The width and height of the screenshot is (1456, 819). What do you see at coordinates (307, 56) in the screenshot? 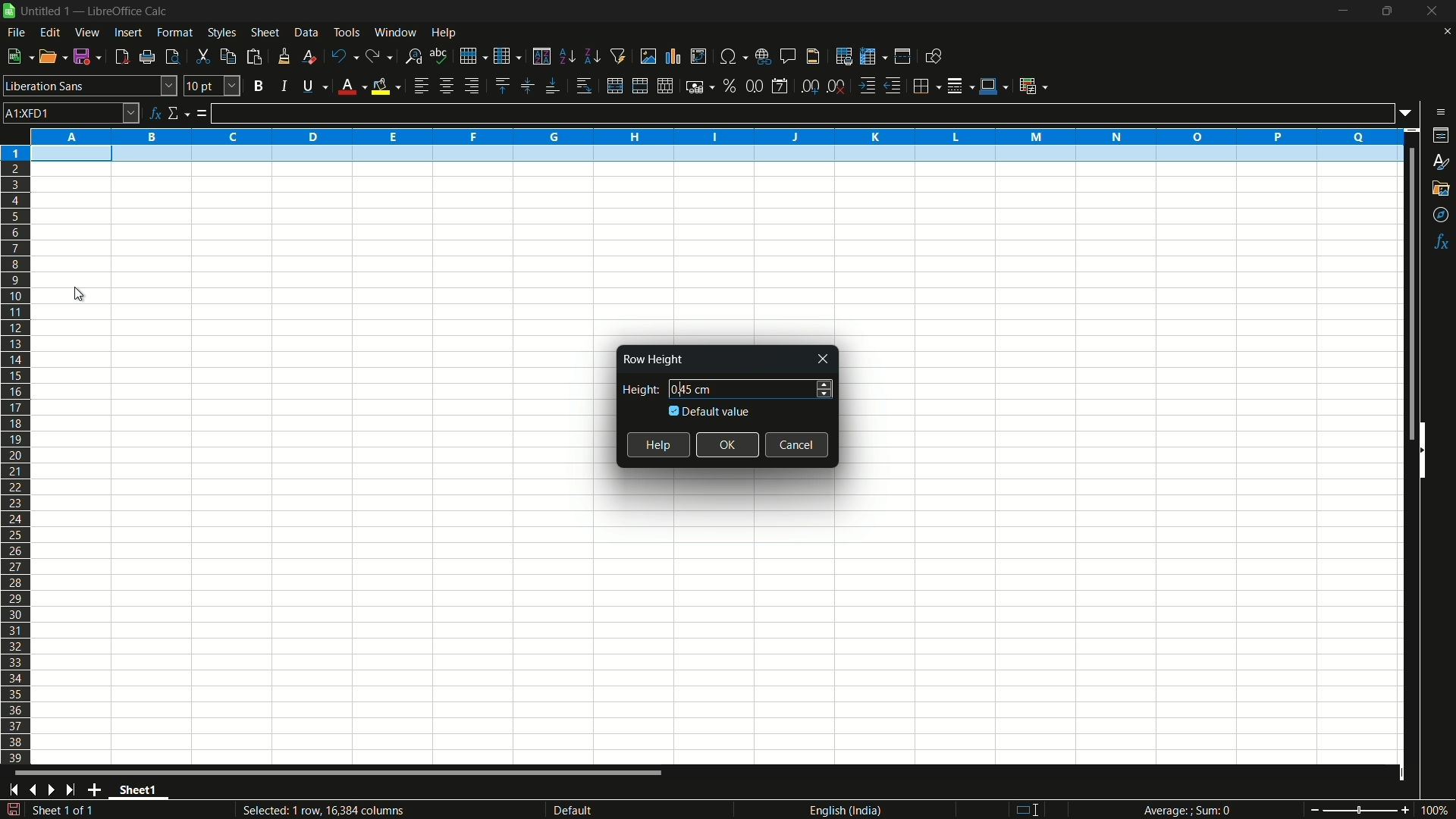
I see `clear direct formatting` at bounding box center [307, 56].